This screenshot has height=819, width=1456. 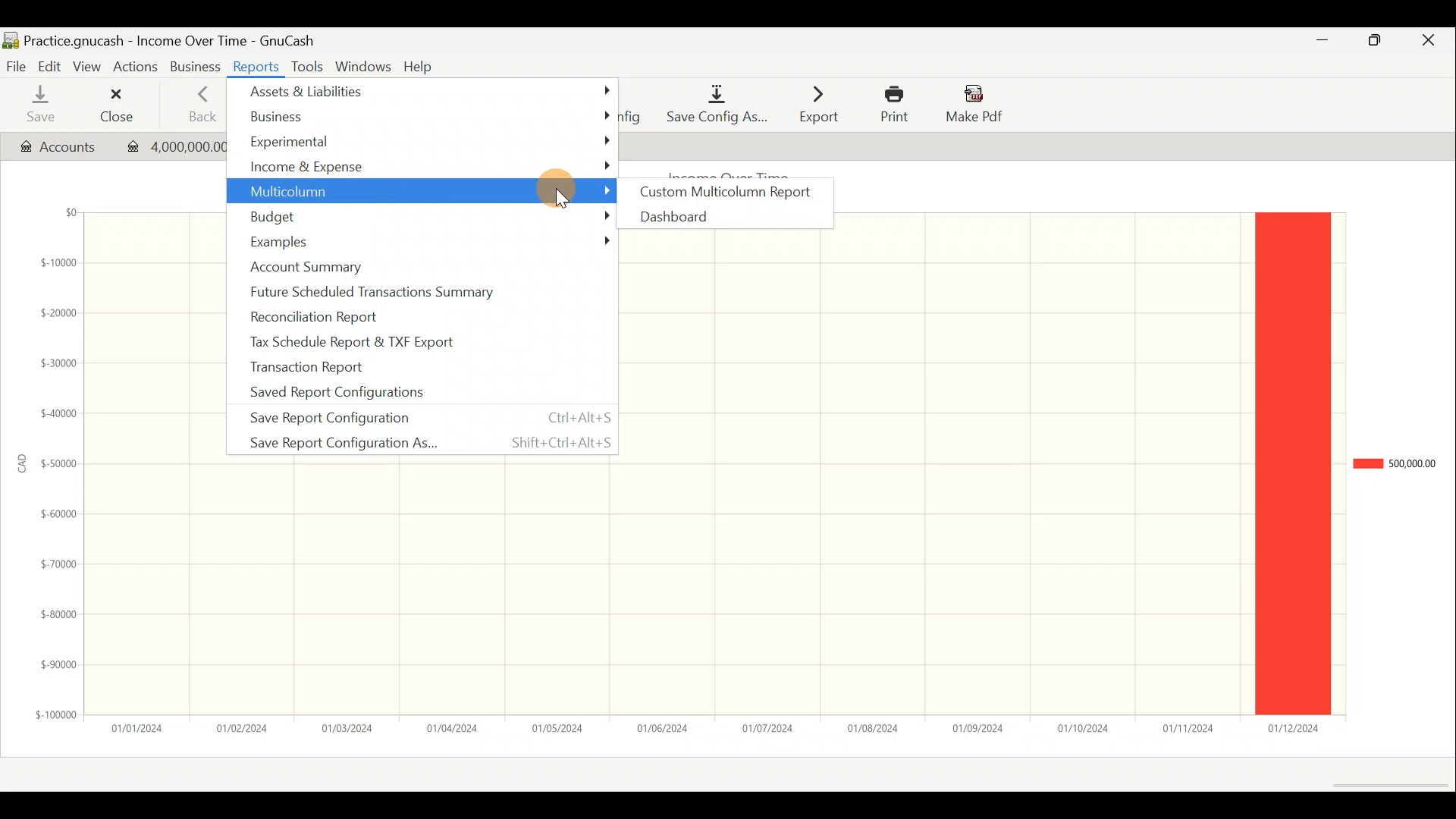 What do you see at coordinates (254, 67) in the screenshot?
I see `Reports` at bounding box center [254, 67].